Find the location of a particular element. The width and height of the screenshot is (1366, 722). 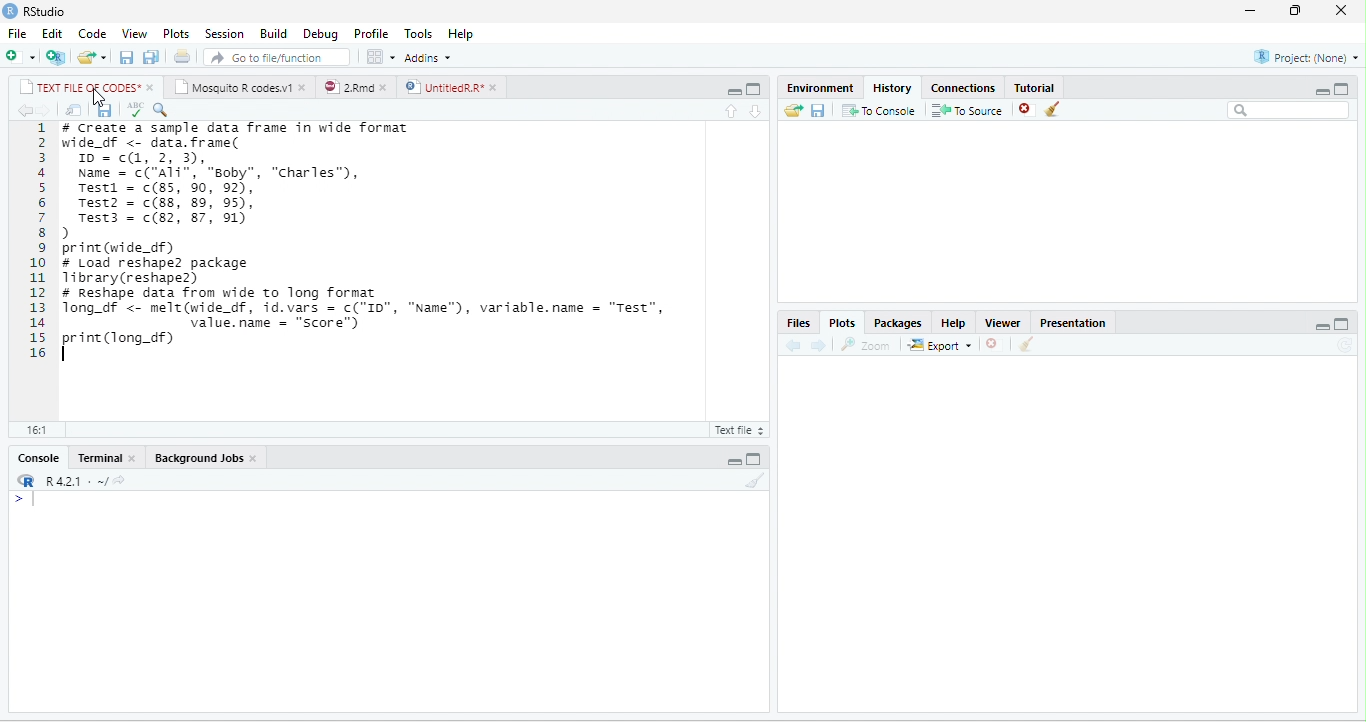

forward is located at coordinates (819, 345).